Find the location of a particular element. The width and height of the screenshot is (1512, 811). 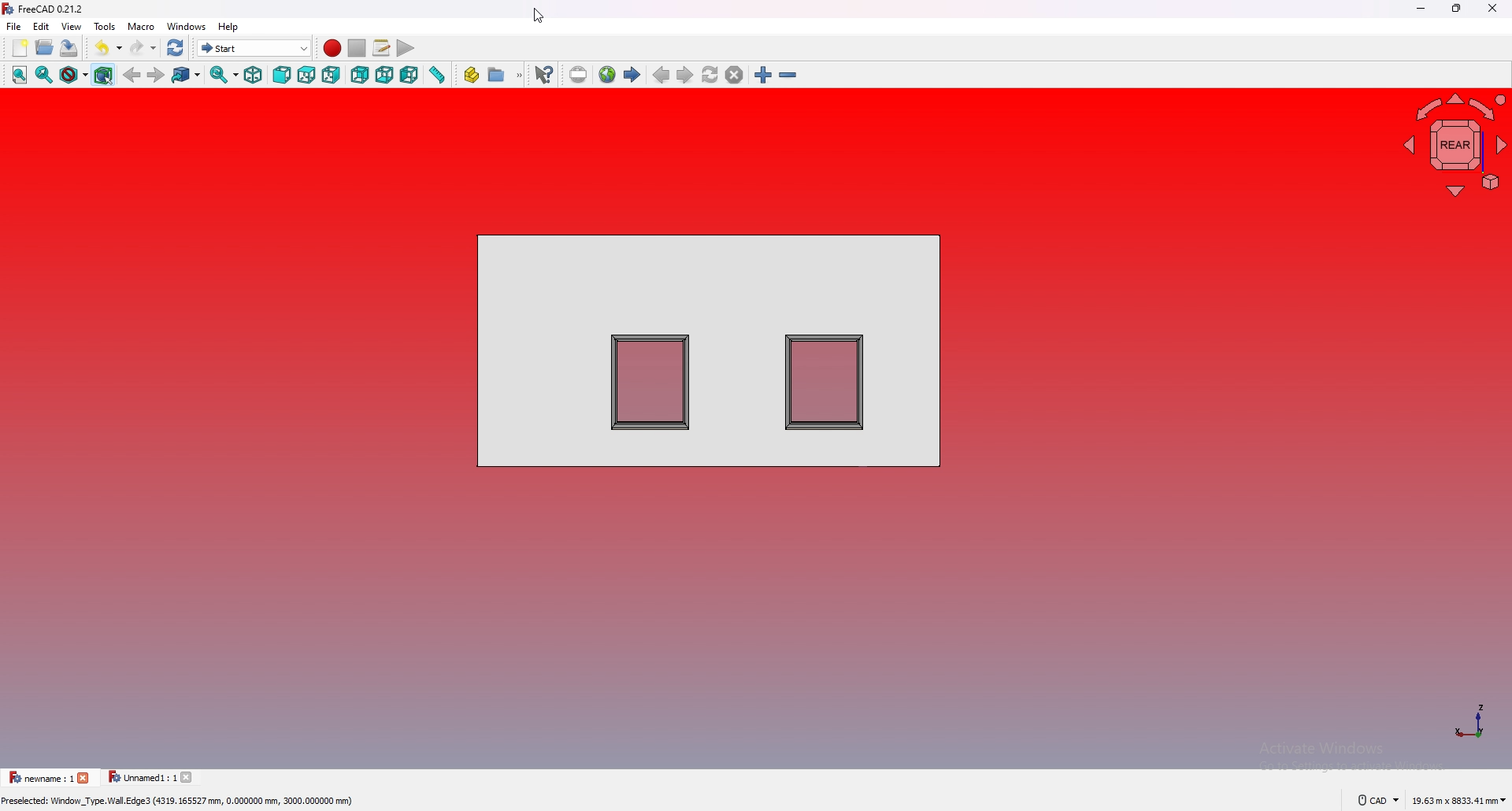

tools is located at coordinates (105, 26).